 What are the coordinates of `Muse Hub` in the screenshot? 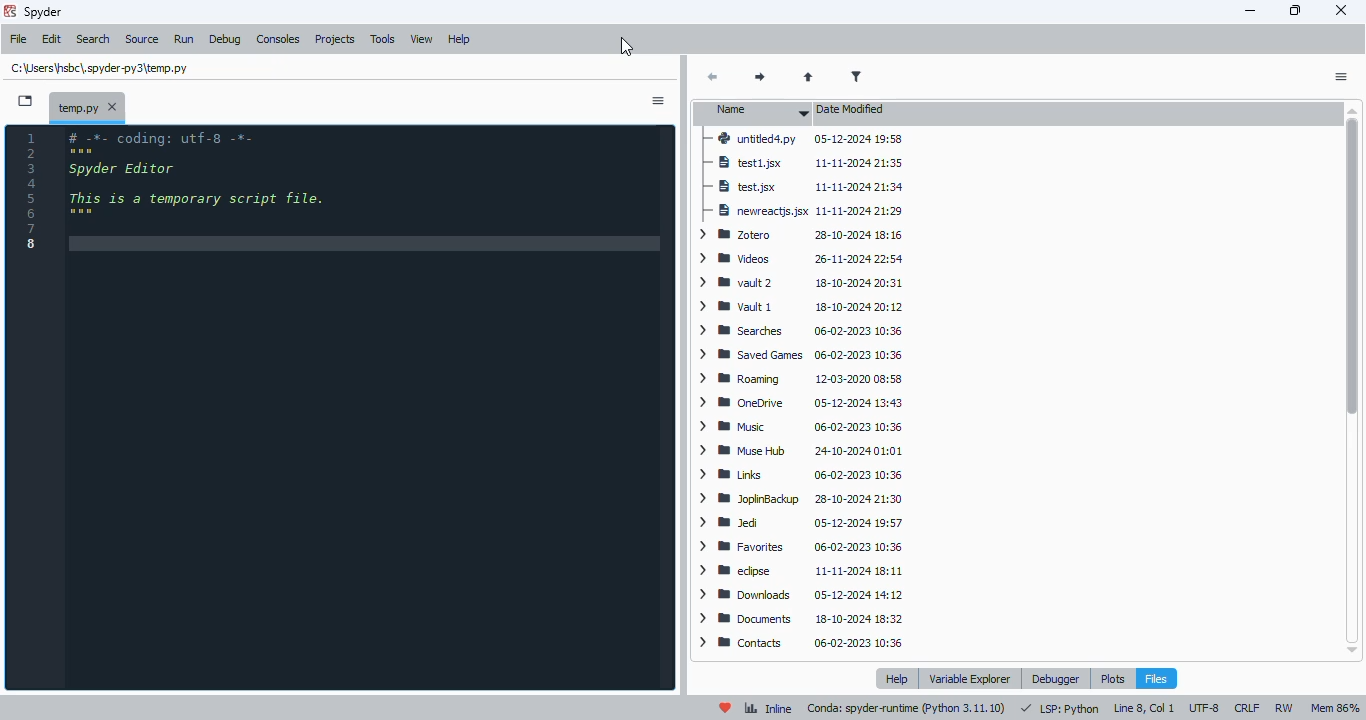 It's located at (805, 451).